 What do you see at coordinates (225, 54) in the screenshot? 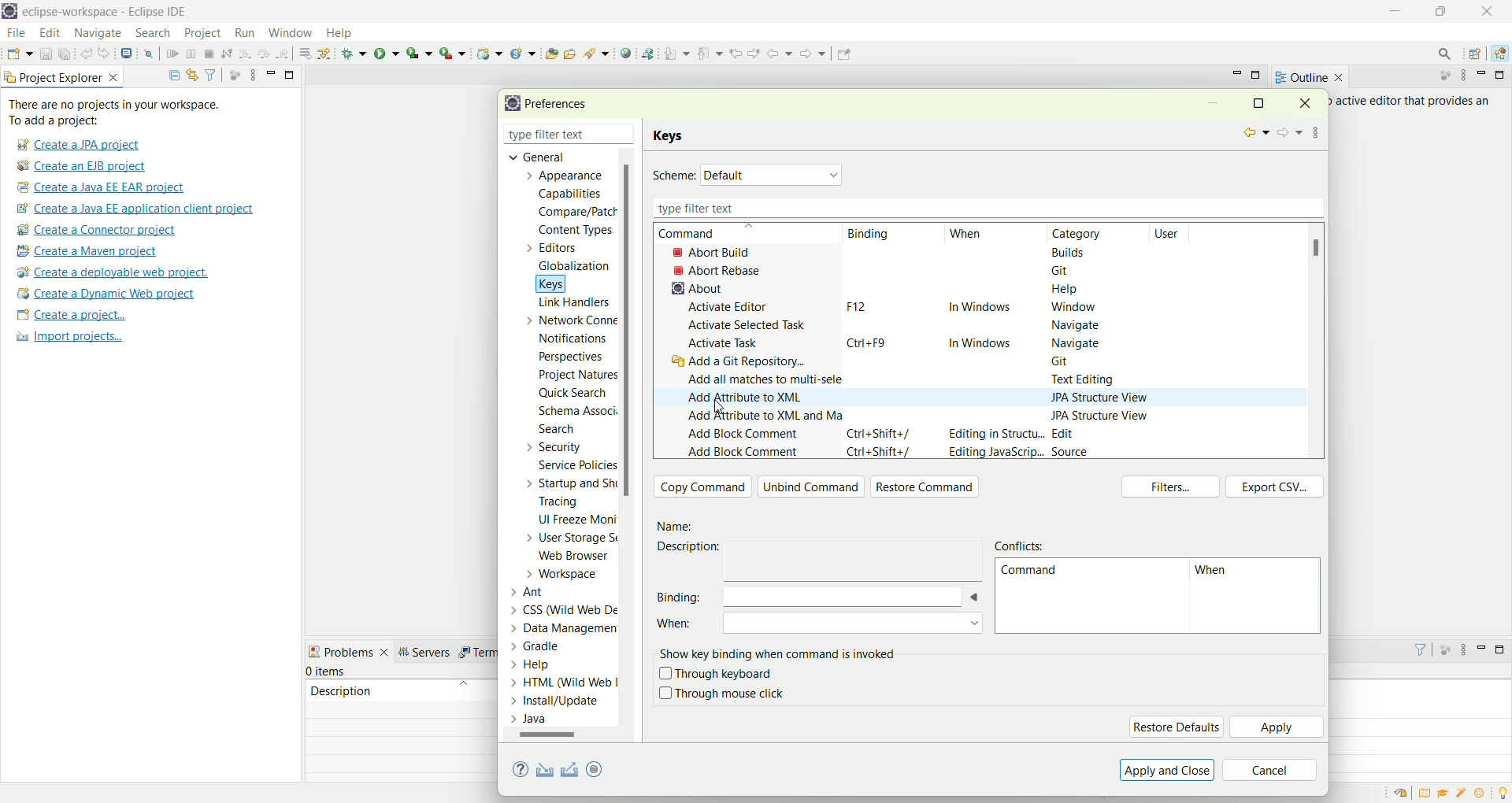
I see `disconnect` at bounding box center [225, 54].